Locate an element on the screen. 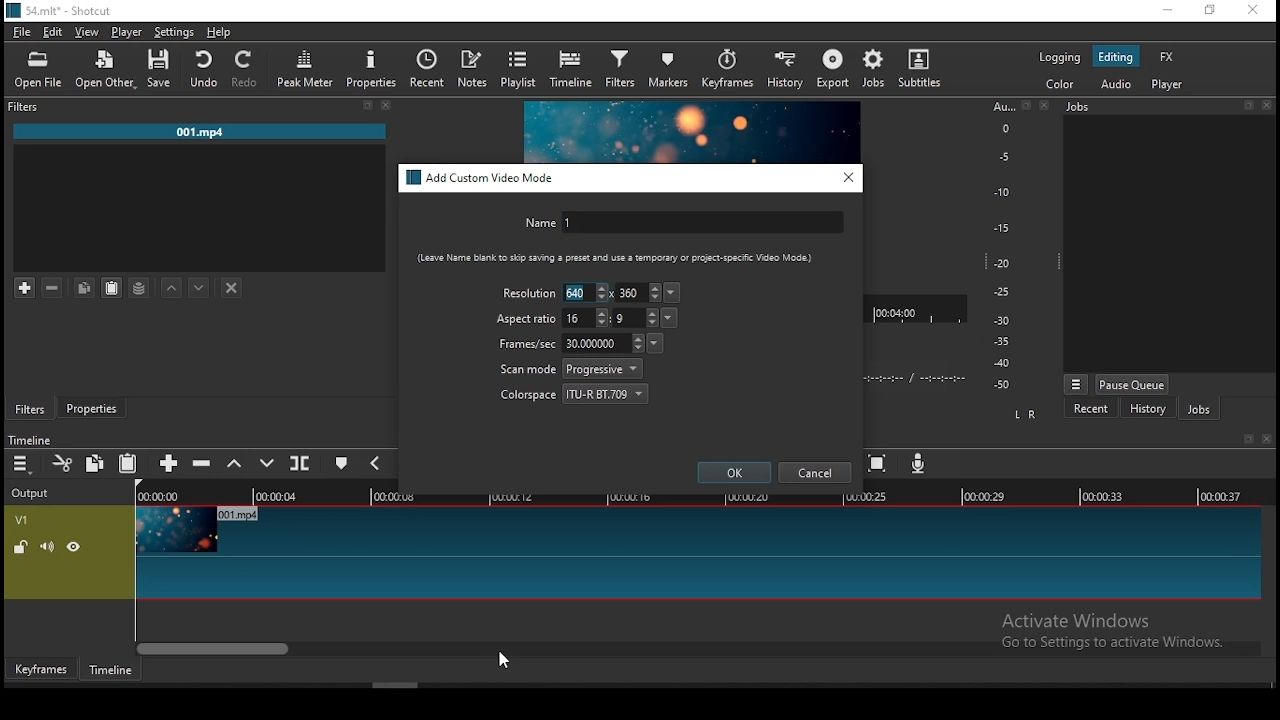 The height and width of the screenshot is (720, 1280). restore is located at coordinates (1248, 106).